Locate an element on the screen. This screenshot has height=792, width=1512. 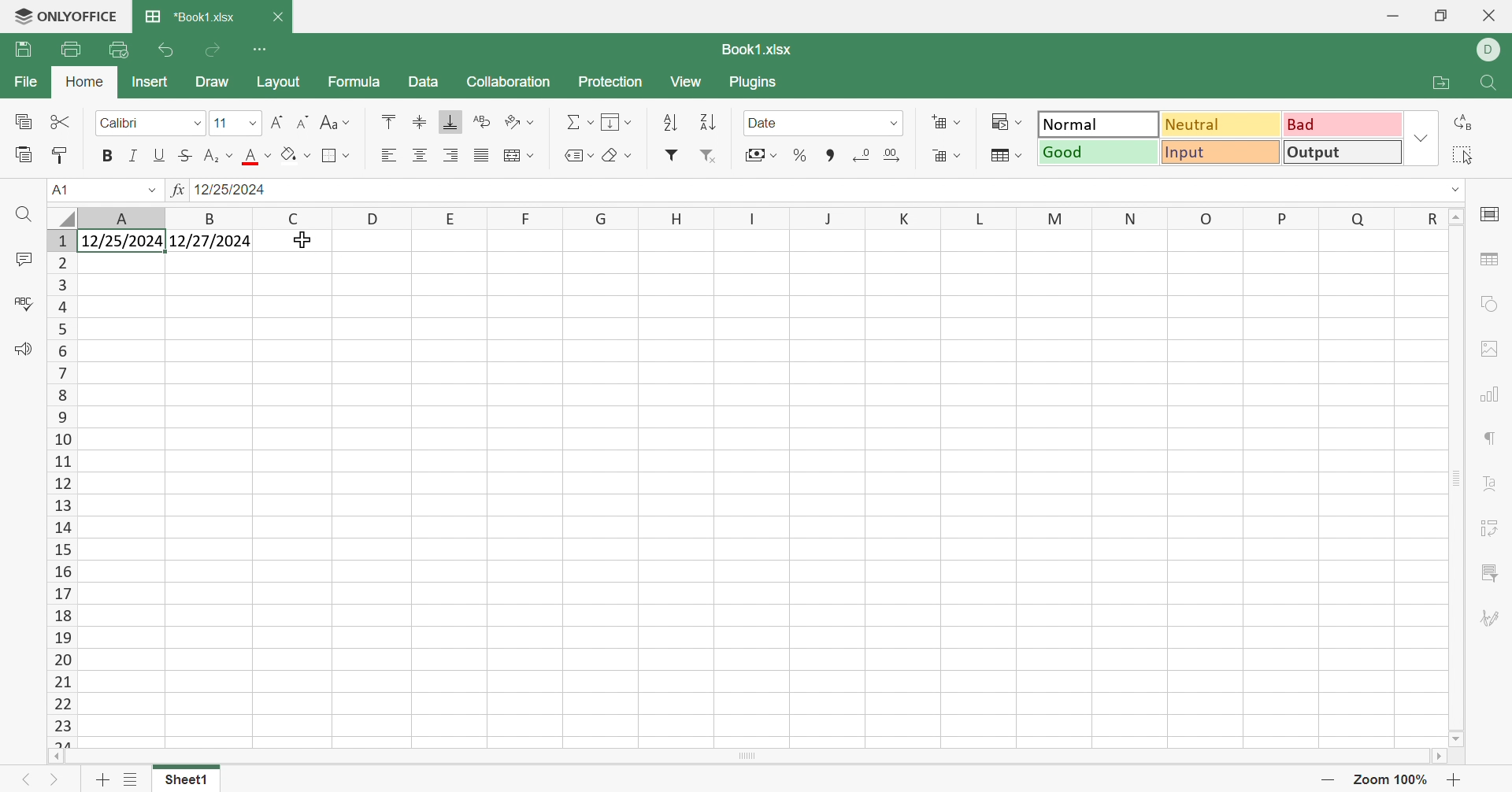
List of Sheet is located at coordinates (130, 780).